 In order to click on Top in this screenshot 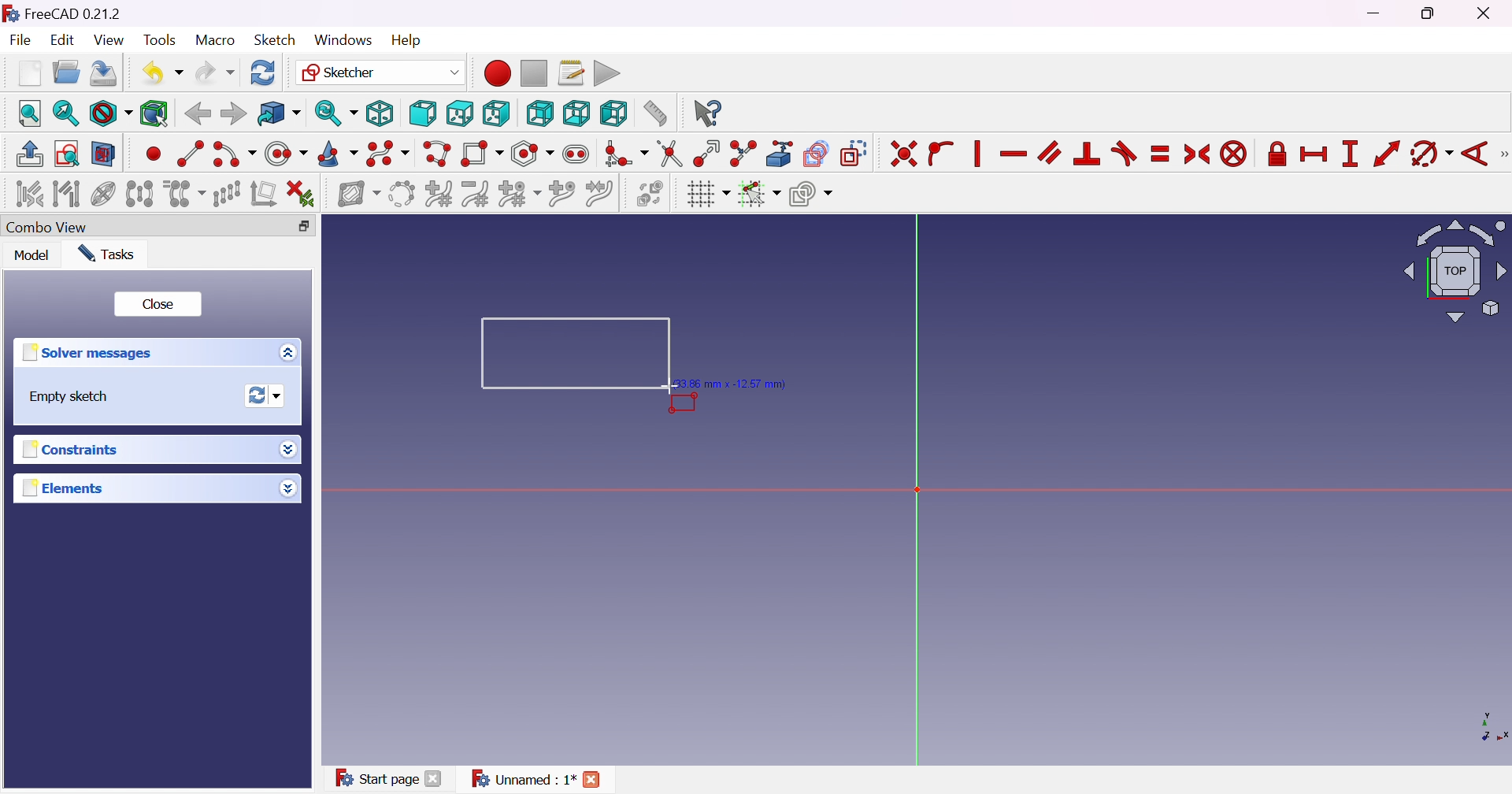, I will do `click(461, 113)`.